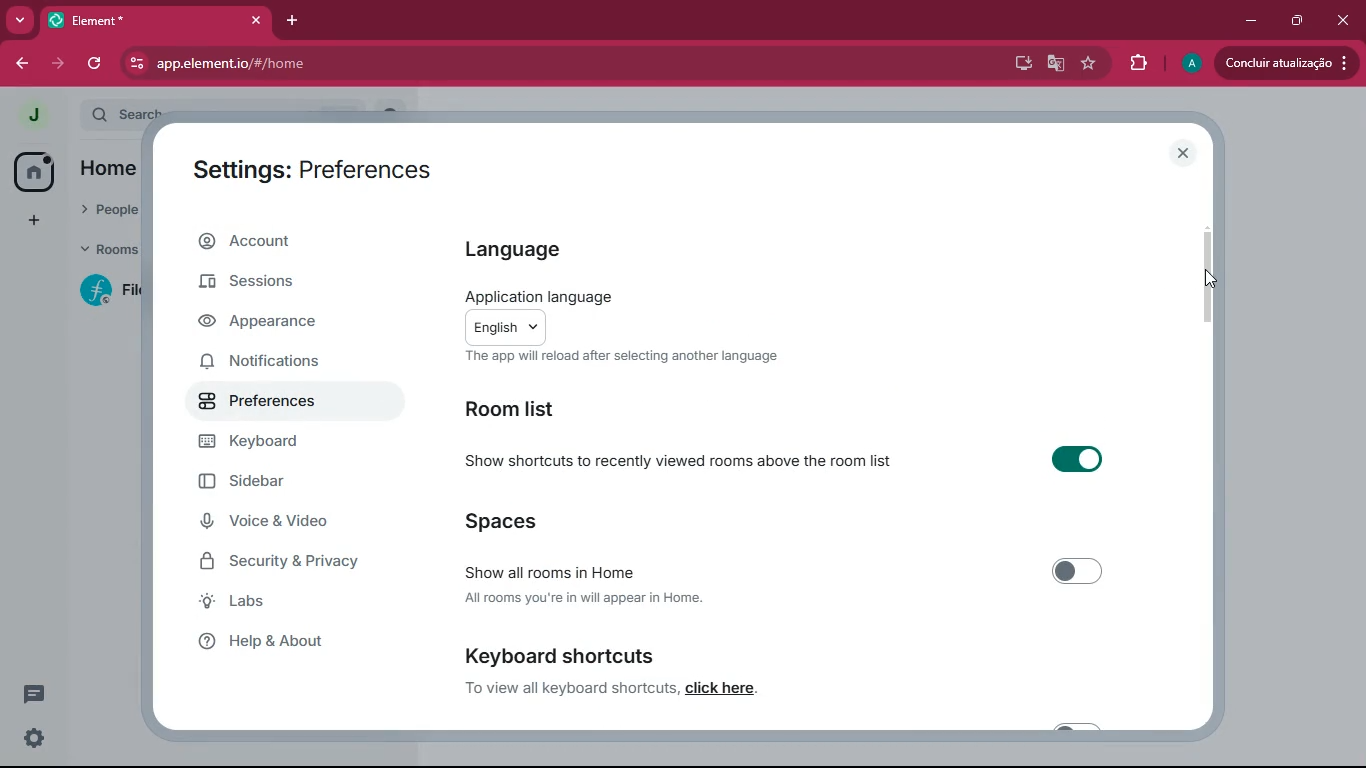  What do you see at coordinates (287, 563) in the screenshot?
I see `security & Privacy` at bounding box center [287, 563].